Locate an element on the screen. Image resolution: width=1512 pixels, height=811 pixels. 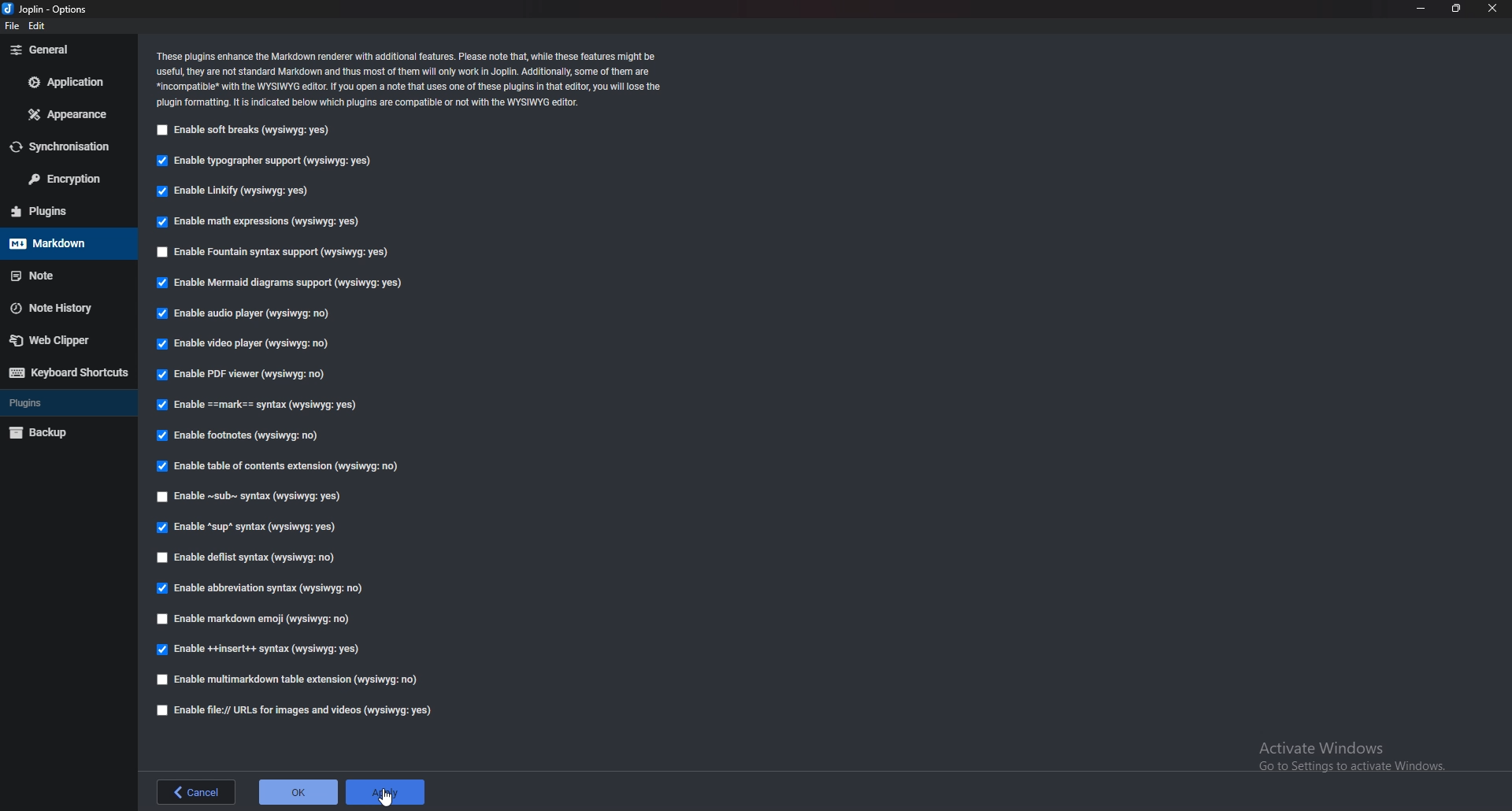
enable typographer support is located at coordinates (264, 161).